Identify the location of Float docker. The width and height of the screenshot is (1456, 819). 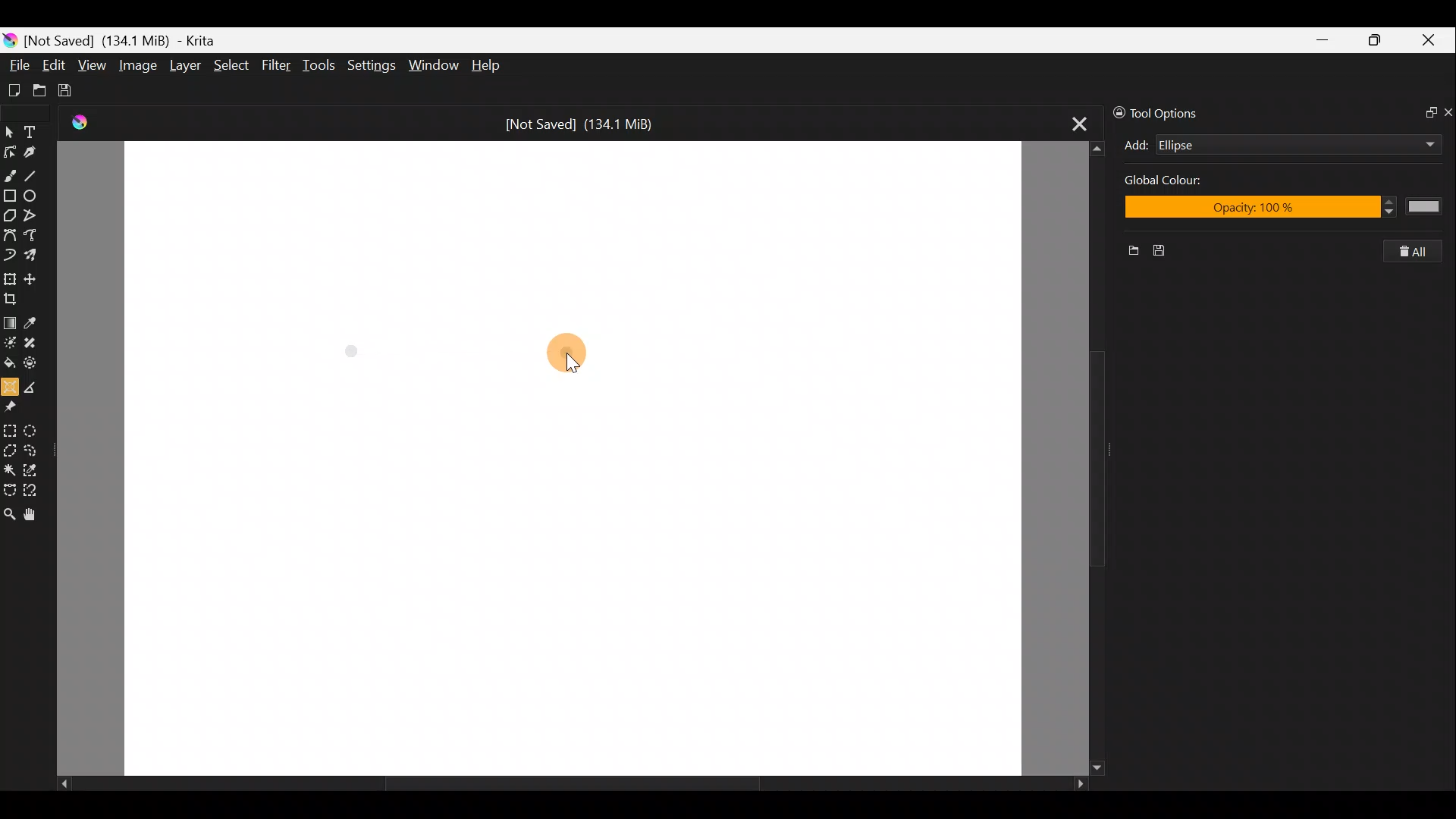
(1424, 114).